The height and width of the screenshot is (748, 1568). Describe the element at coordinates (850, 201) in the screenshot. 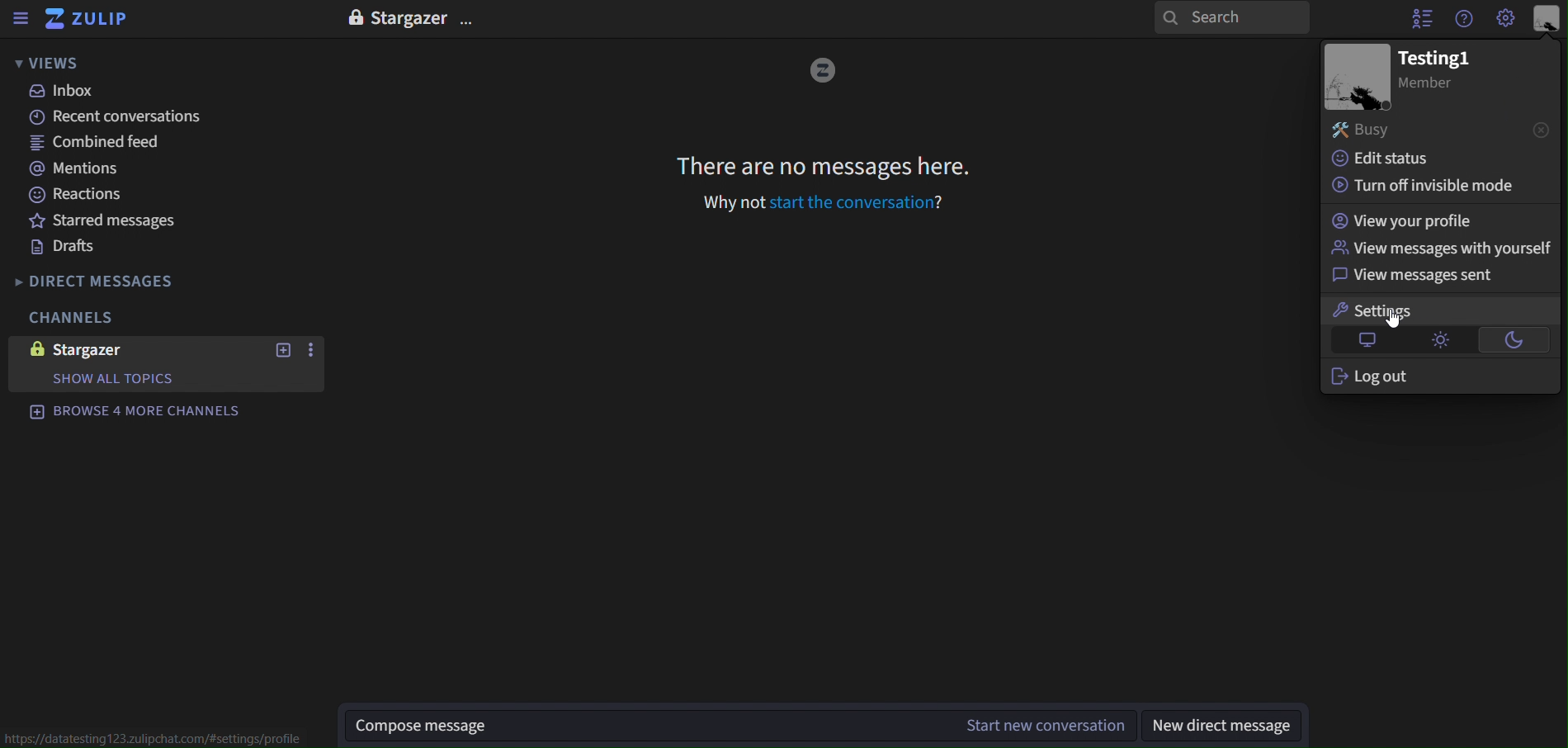

I see `start the conversation` at that location.